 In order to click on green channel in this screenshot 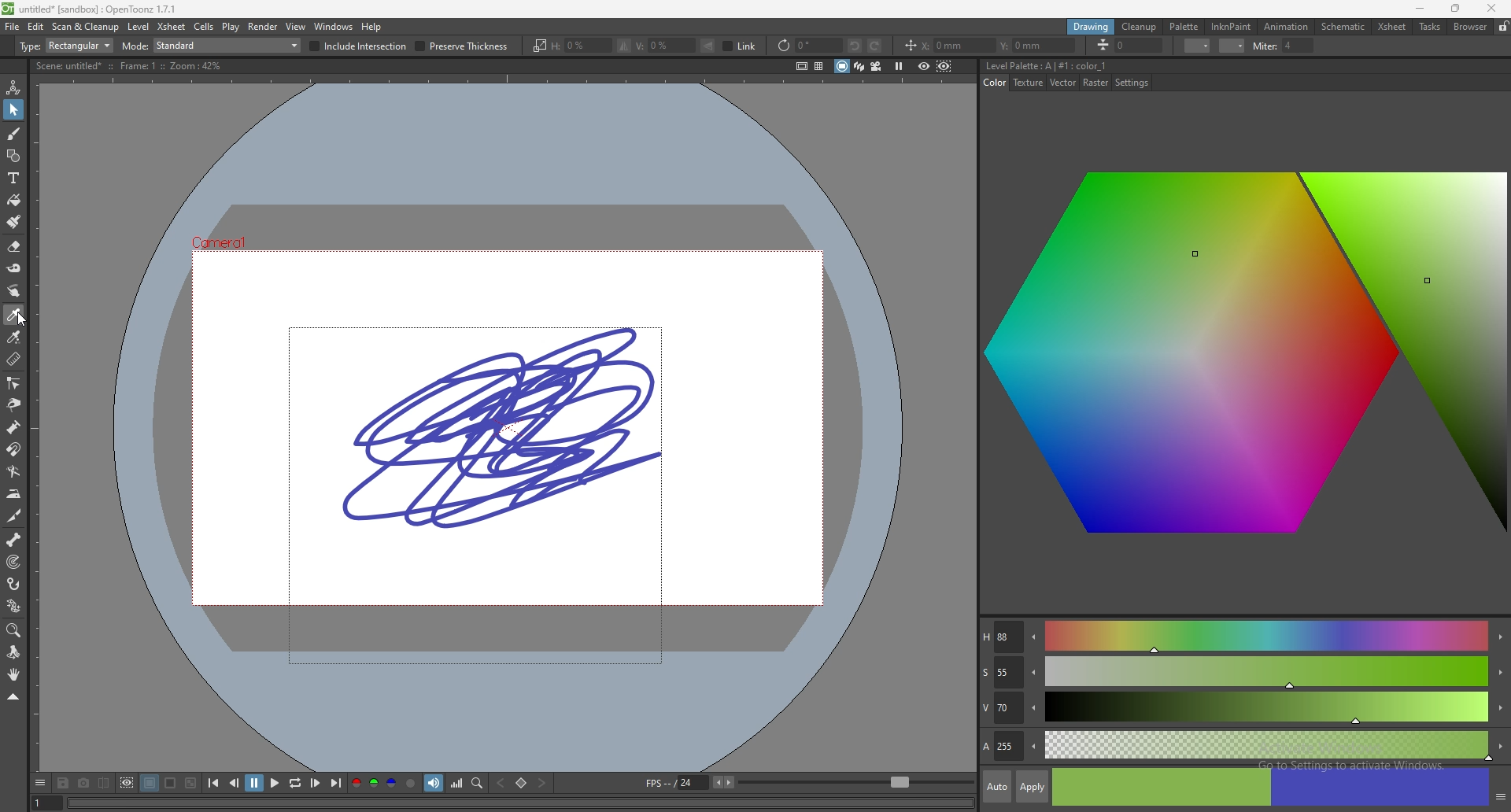, I will do `click(373, 784)`.